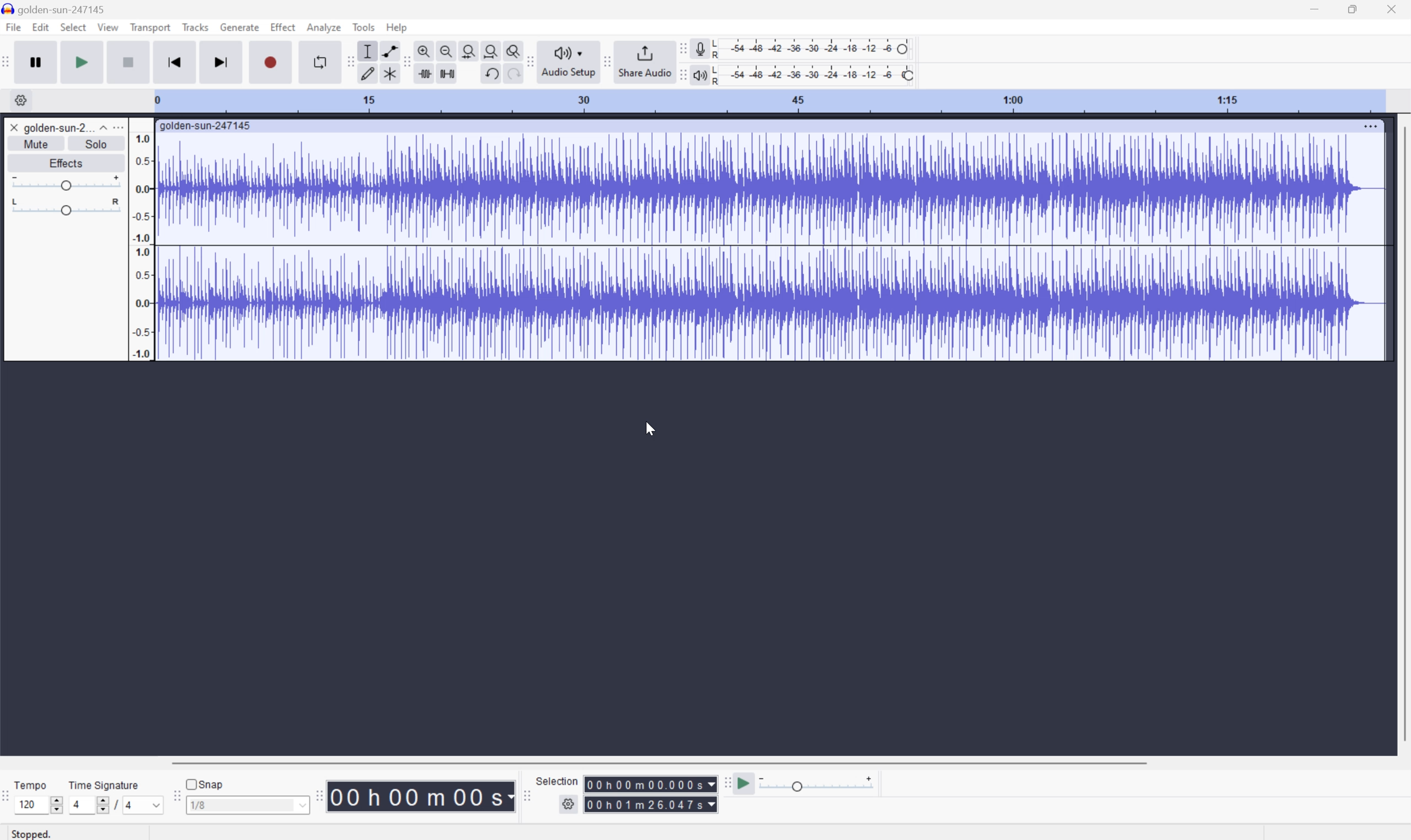 This screenshot has height=840, width=1411. Describe the element at coordinates (650, 804) in the screenshot. I see `Selection` at that location.